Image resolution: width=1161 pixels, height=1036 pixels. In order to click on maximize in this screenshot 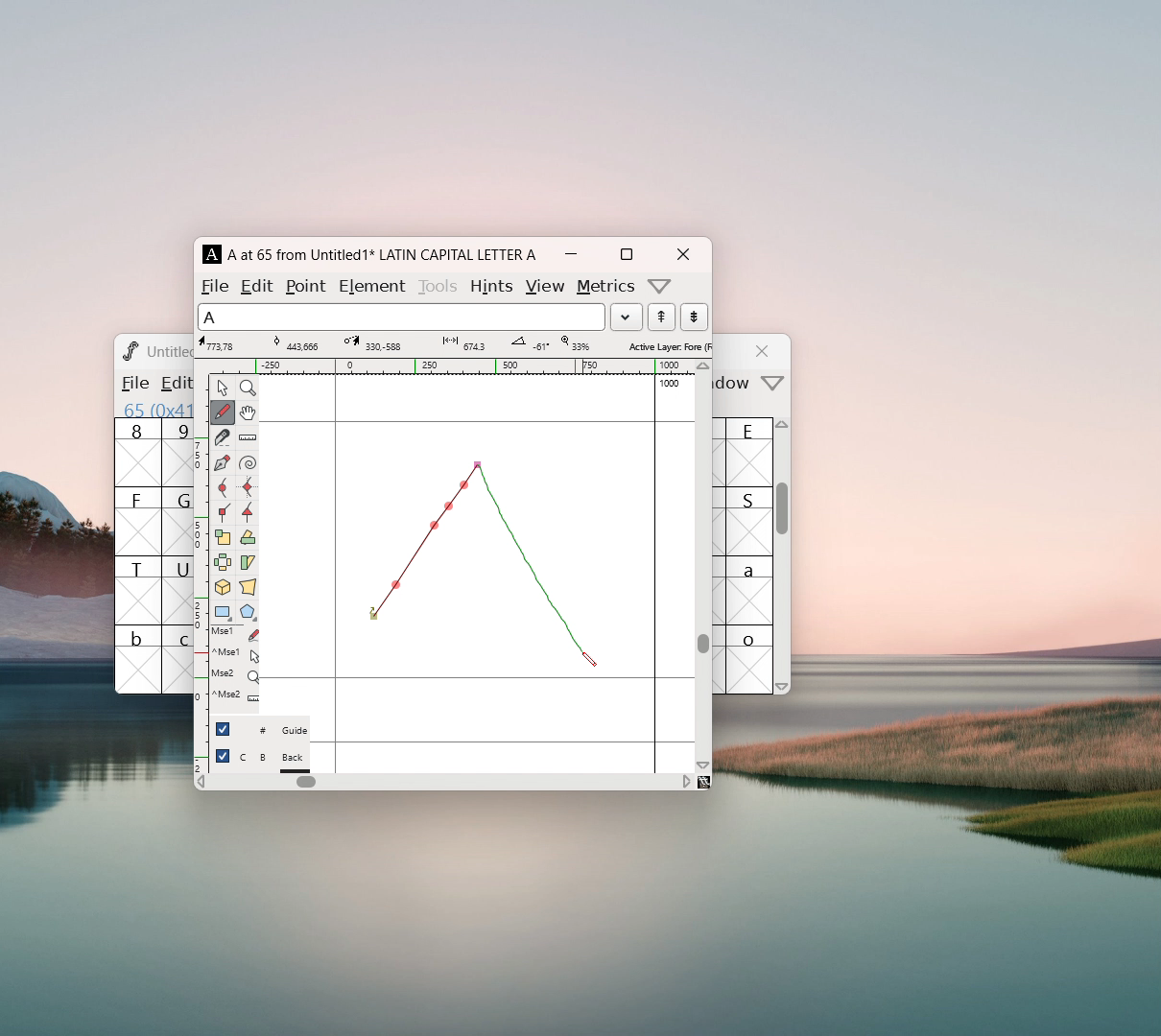, I will do `click(626, 254)`.